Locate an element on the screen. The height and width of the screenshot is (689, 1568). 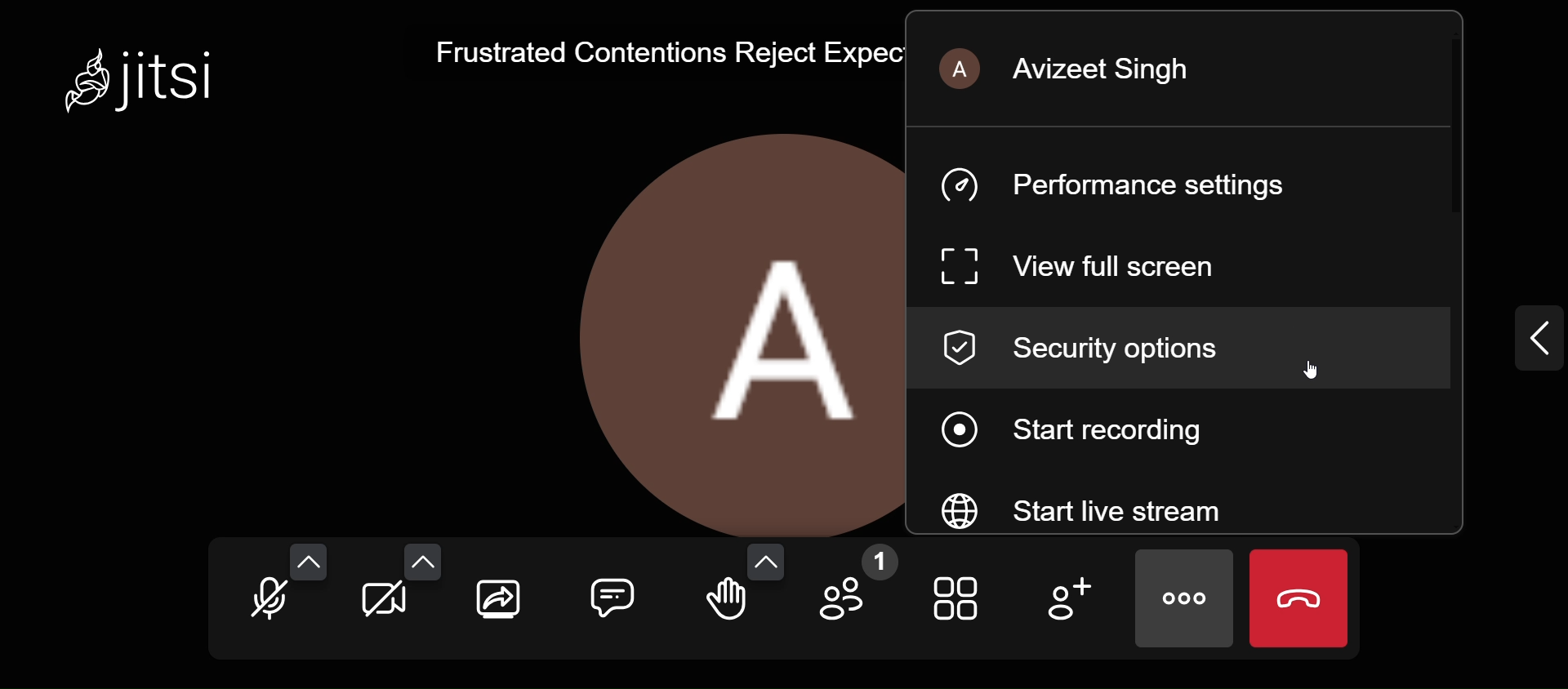
performance setting is located at coordinates (1107, 185).